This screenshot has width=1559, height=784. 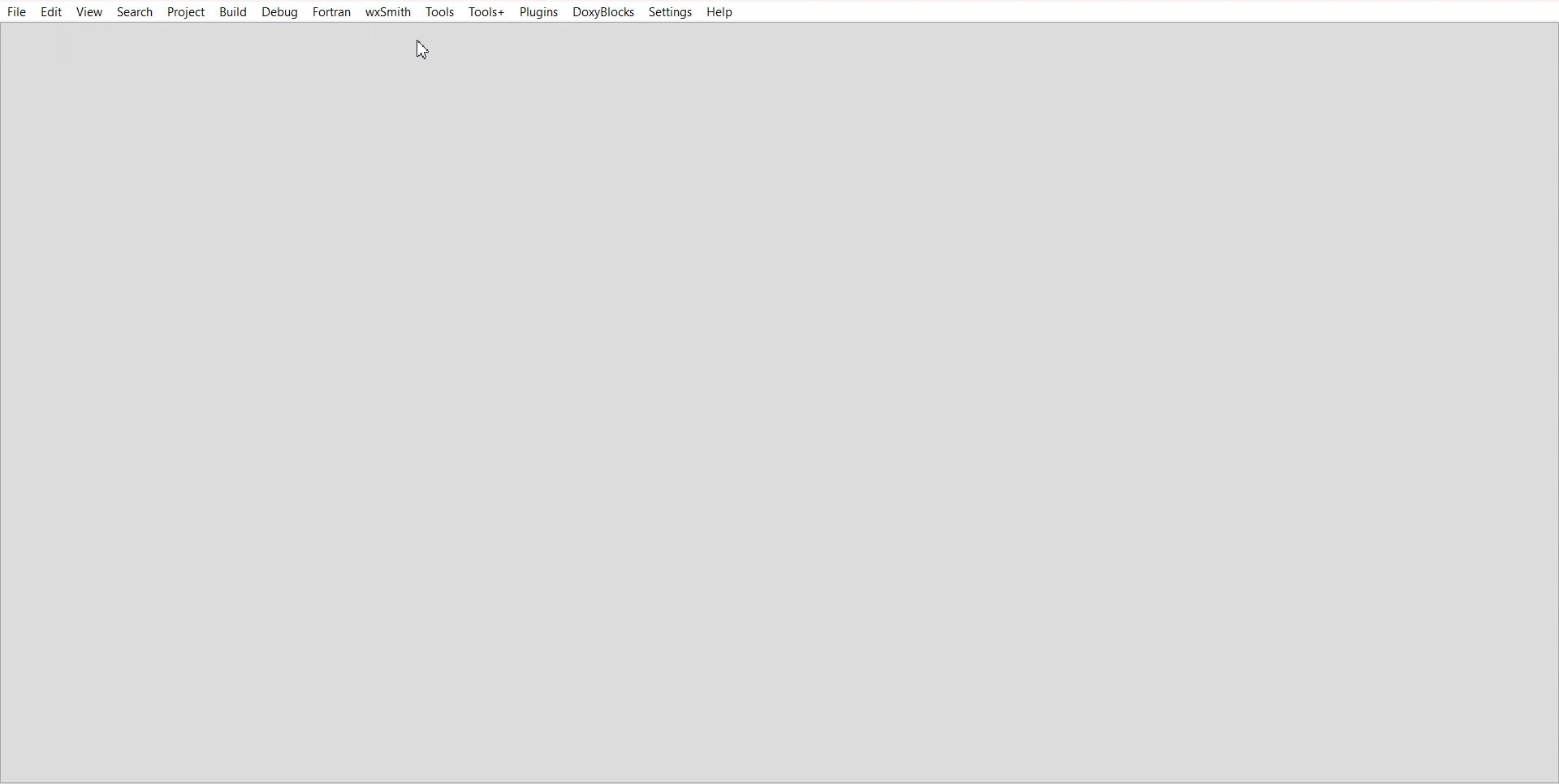 What do you see at coordinates (52, 12) in the screenshot?
I see `Edit` at bounding box center [52, 12].